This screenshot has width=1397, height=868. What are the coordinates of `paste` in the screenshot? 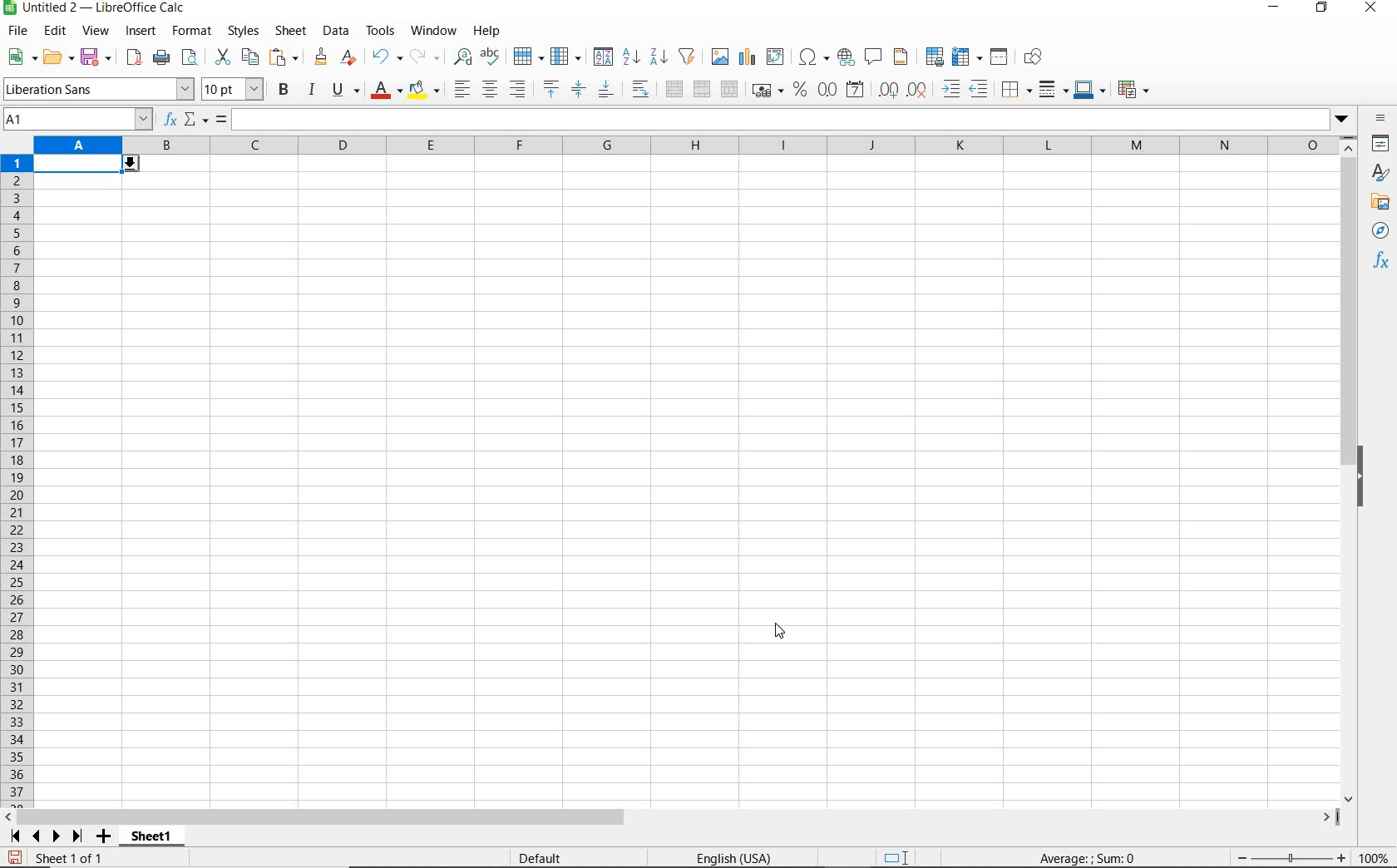 It's located at (286, 59).